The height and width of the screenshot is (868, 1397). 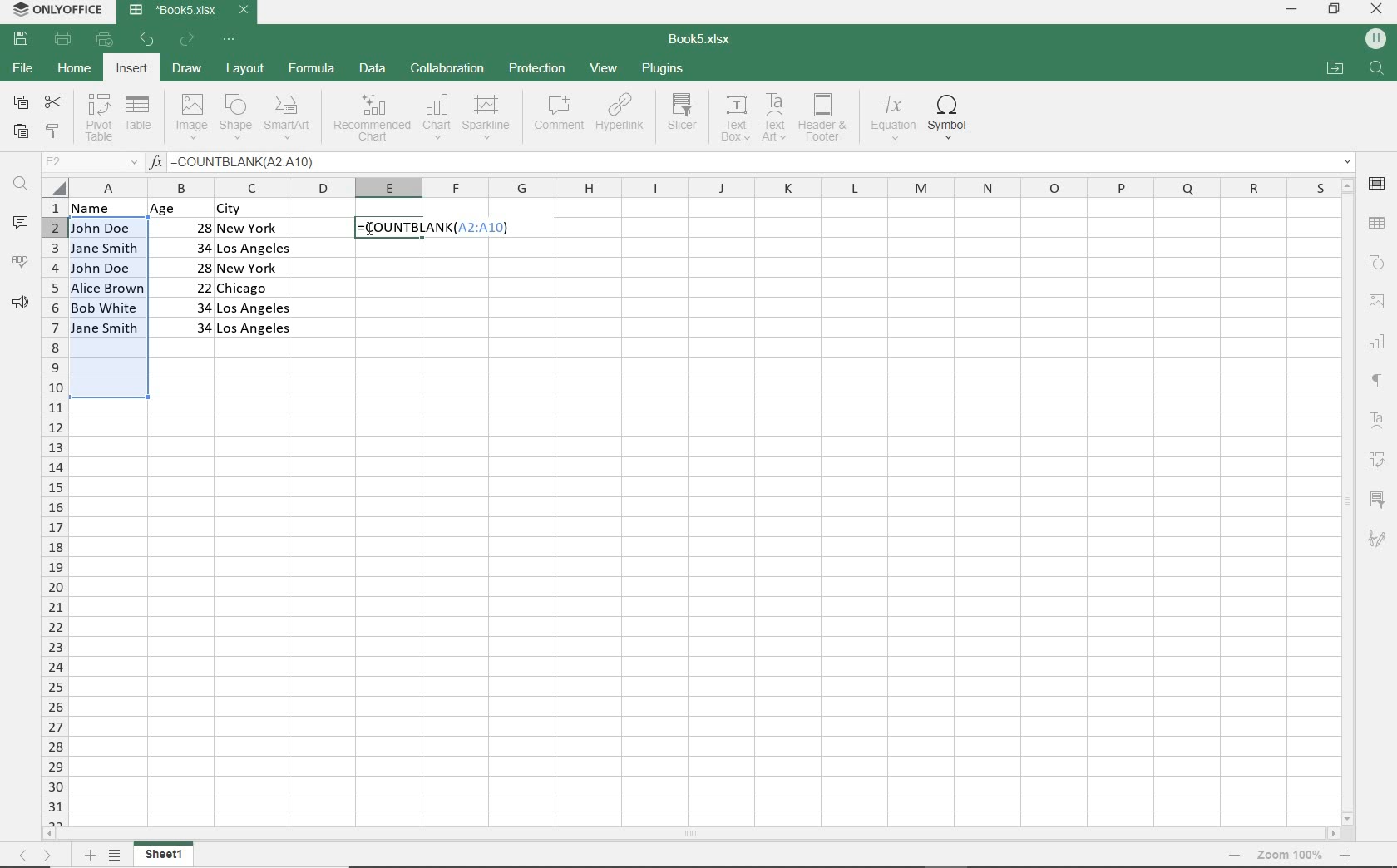 I want to click on zoom out, so click(x=1236, y=855).